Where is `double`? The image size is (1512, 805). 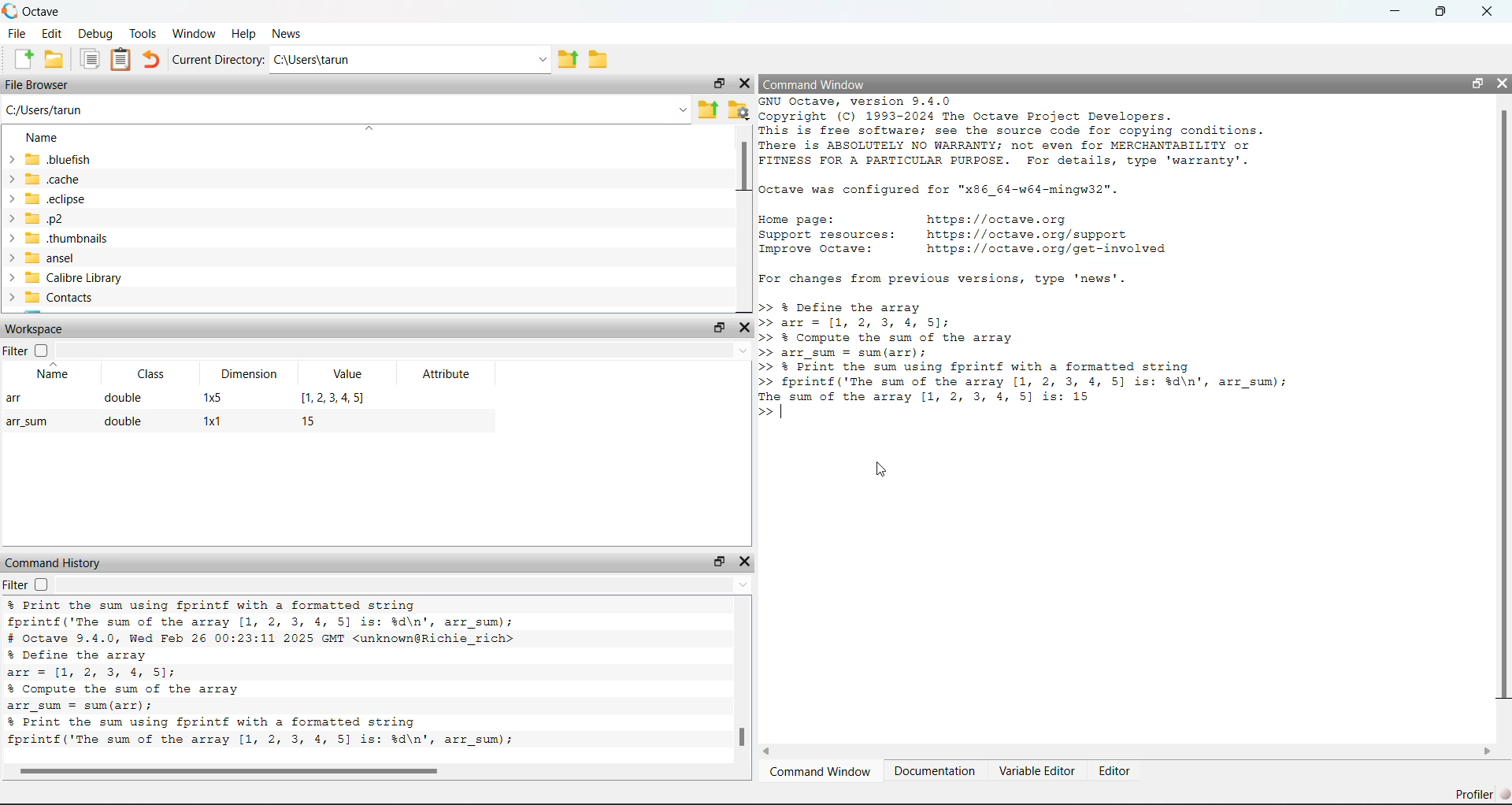 double is located at coordinates (122, 397).